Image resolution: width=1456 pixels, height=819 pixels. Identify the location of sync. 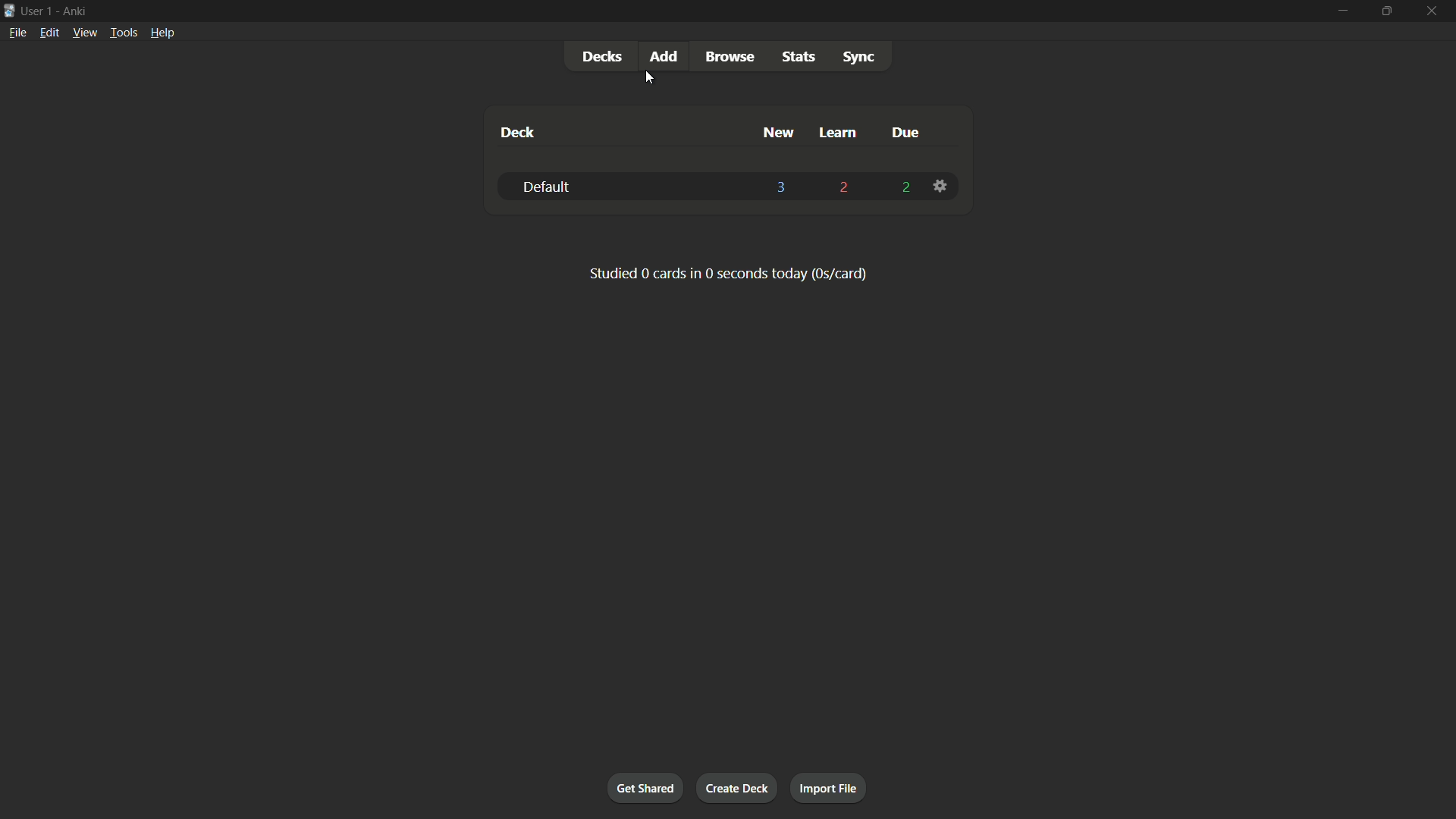
(859, 58).